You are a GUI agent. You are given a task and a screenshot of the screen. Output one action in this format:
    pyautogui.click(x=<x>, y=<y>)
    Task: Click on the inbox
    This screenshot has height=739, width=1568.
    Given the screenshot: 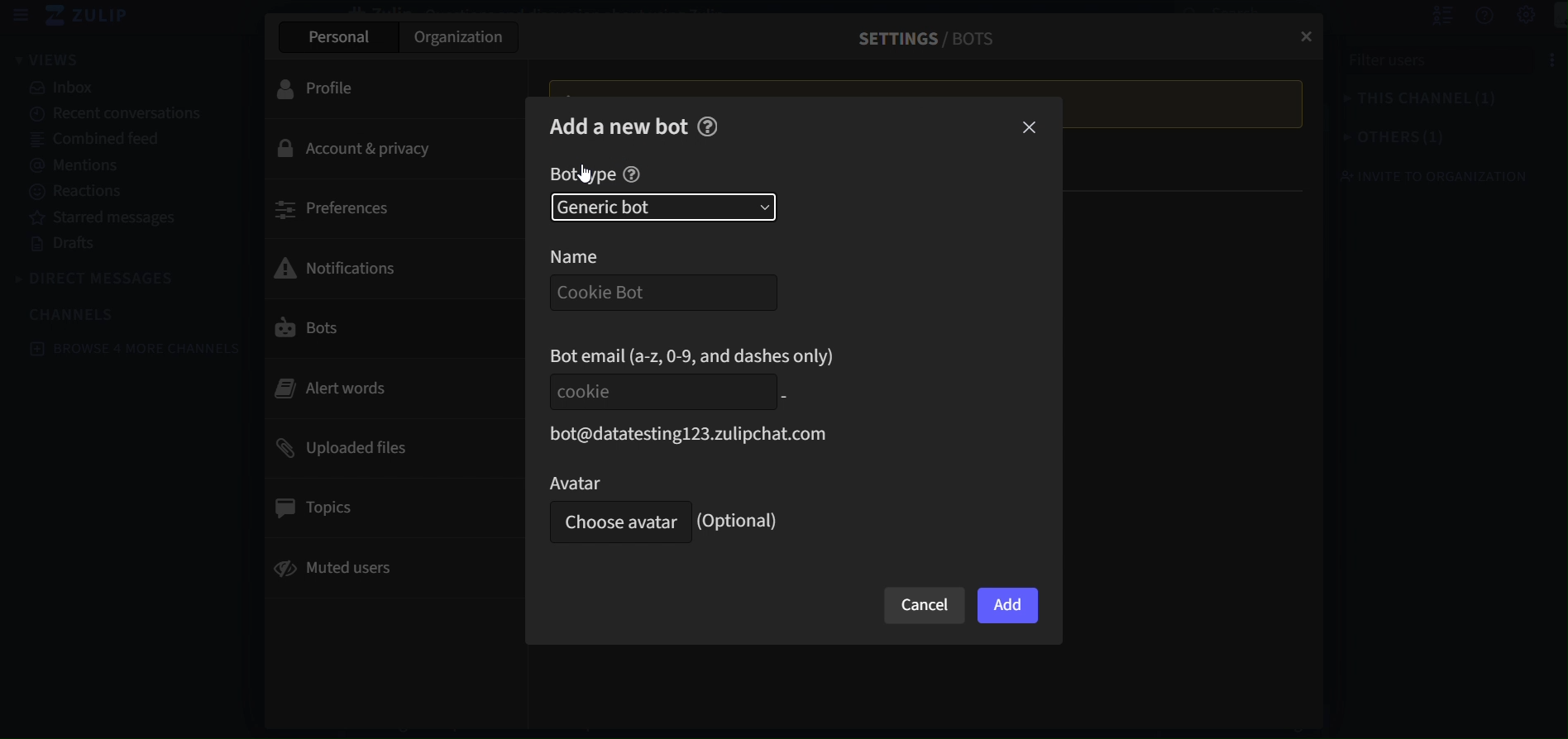 What is the action you would take?
    pyautogui.click(x=112, y=88)
    